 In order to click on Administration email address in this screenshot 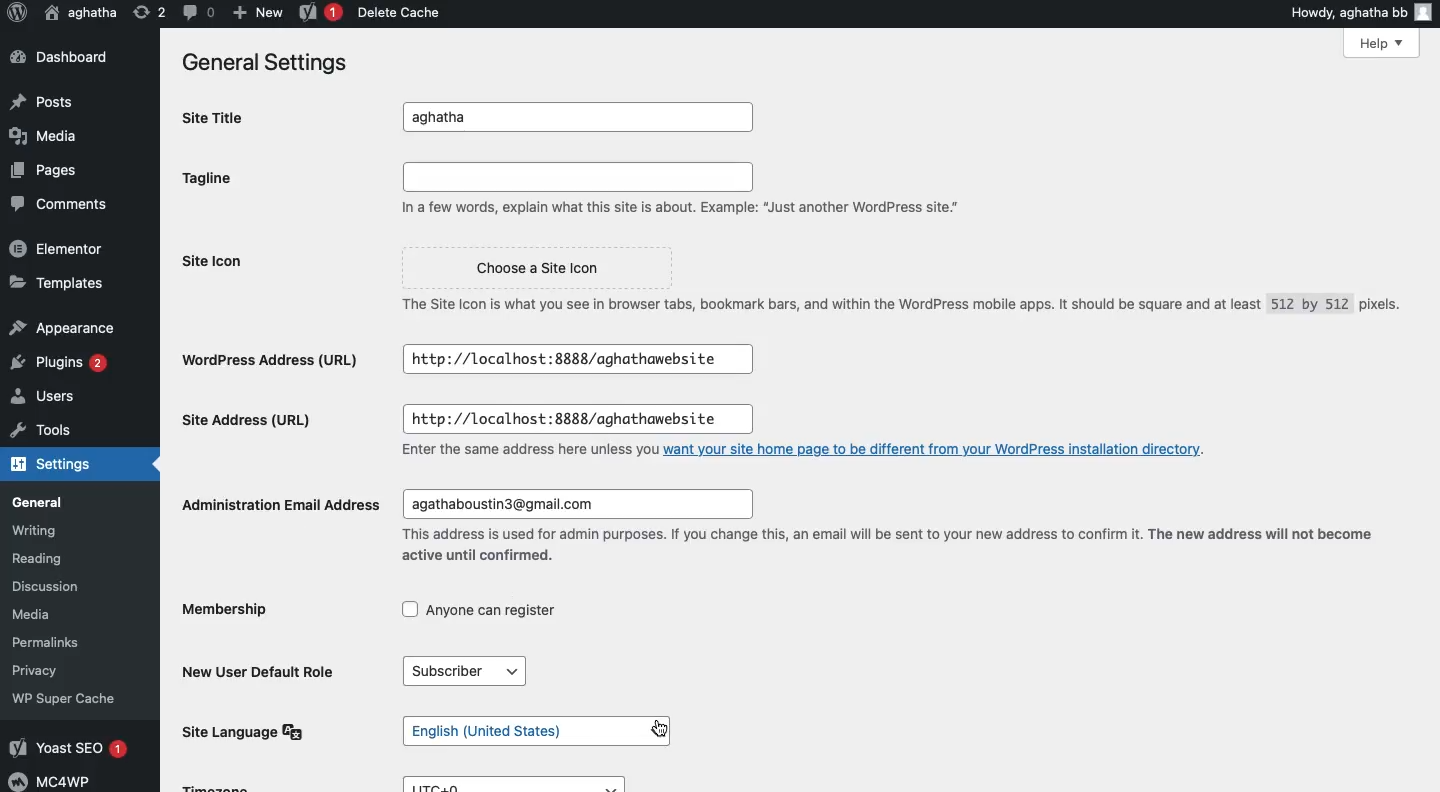, I will do `click(278, 503)`.